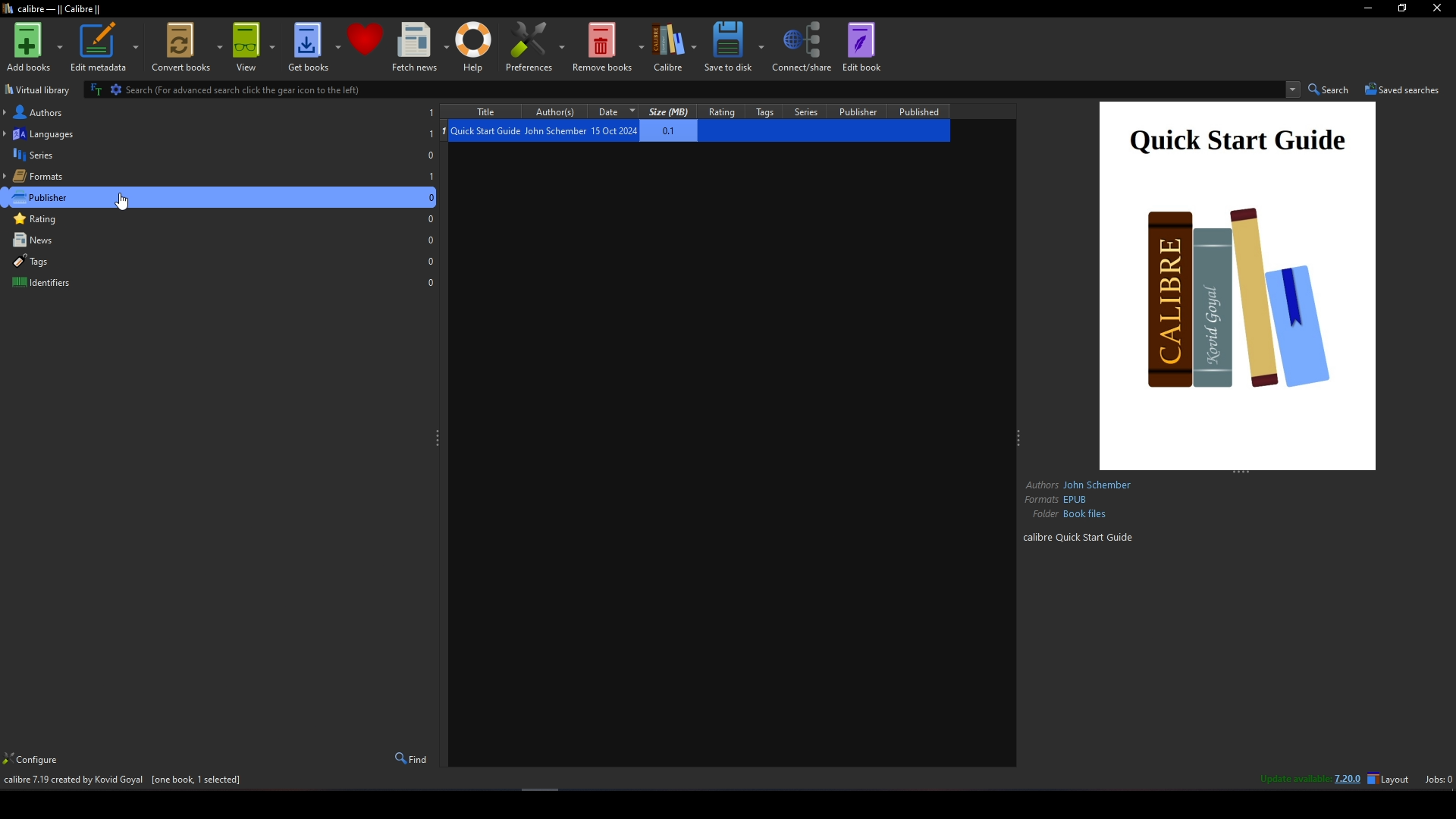 The width and height of the screenshot is (1456, 819). I want to click on Quick start guide, so click(1239, 285).